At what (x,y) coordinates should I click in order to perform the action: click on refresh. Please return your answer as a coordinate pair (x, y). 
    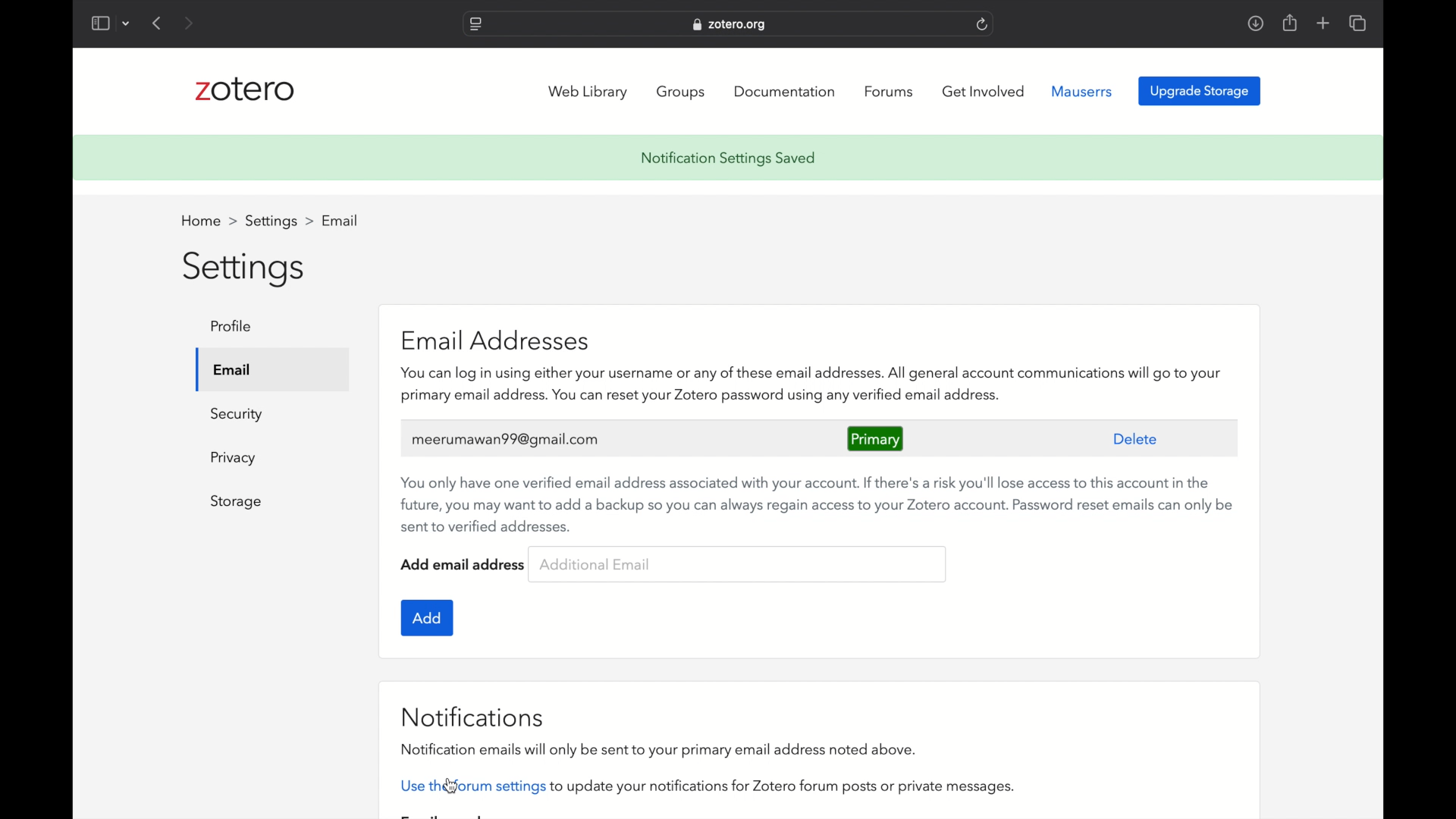
    Looking at the image, I should click on (983, 24).